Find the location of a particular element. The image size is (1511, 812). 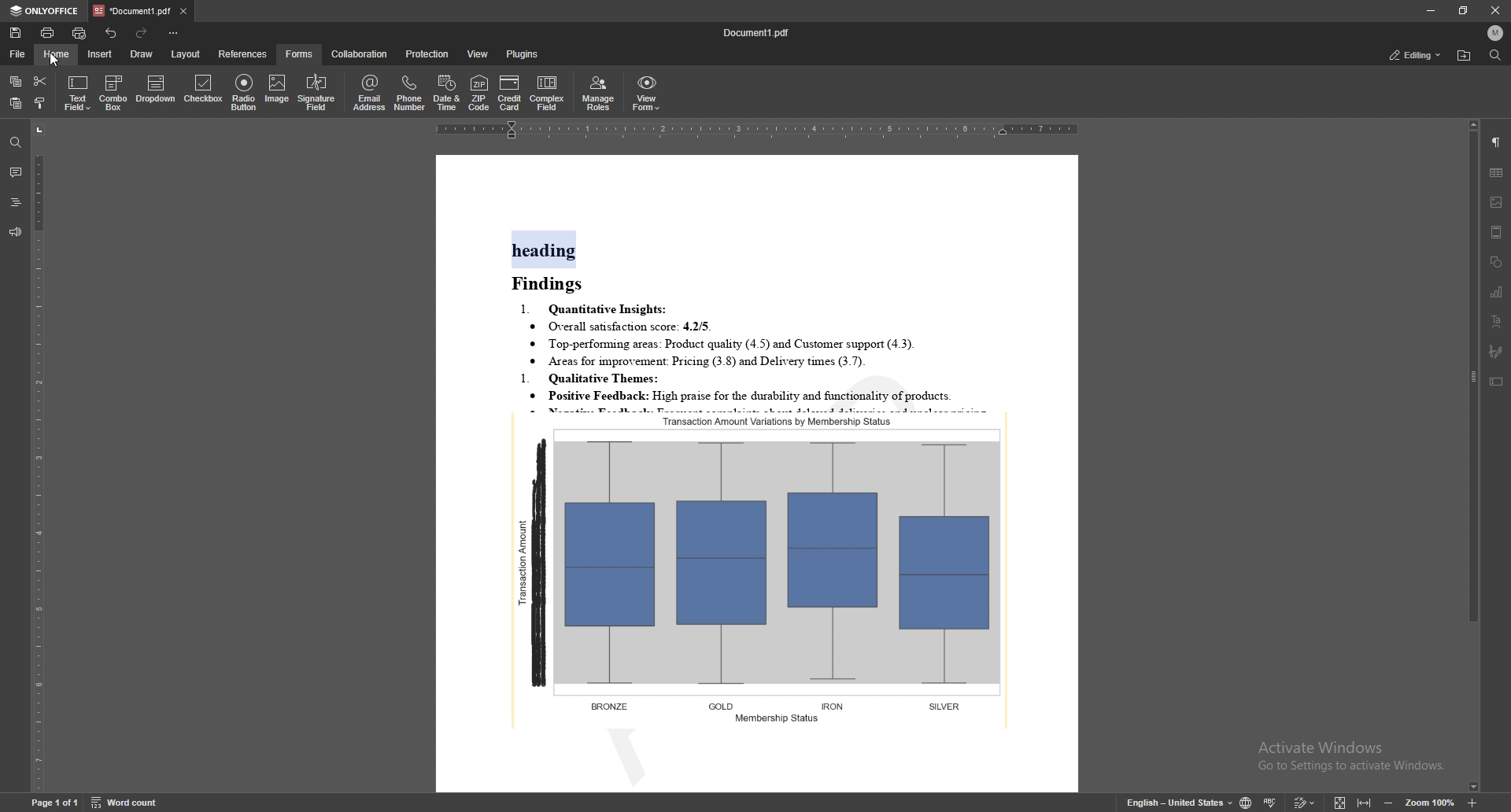

checkbox is located at coordinates (202, 91).